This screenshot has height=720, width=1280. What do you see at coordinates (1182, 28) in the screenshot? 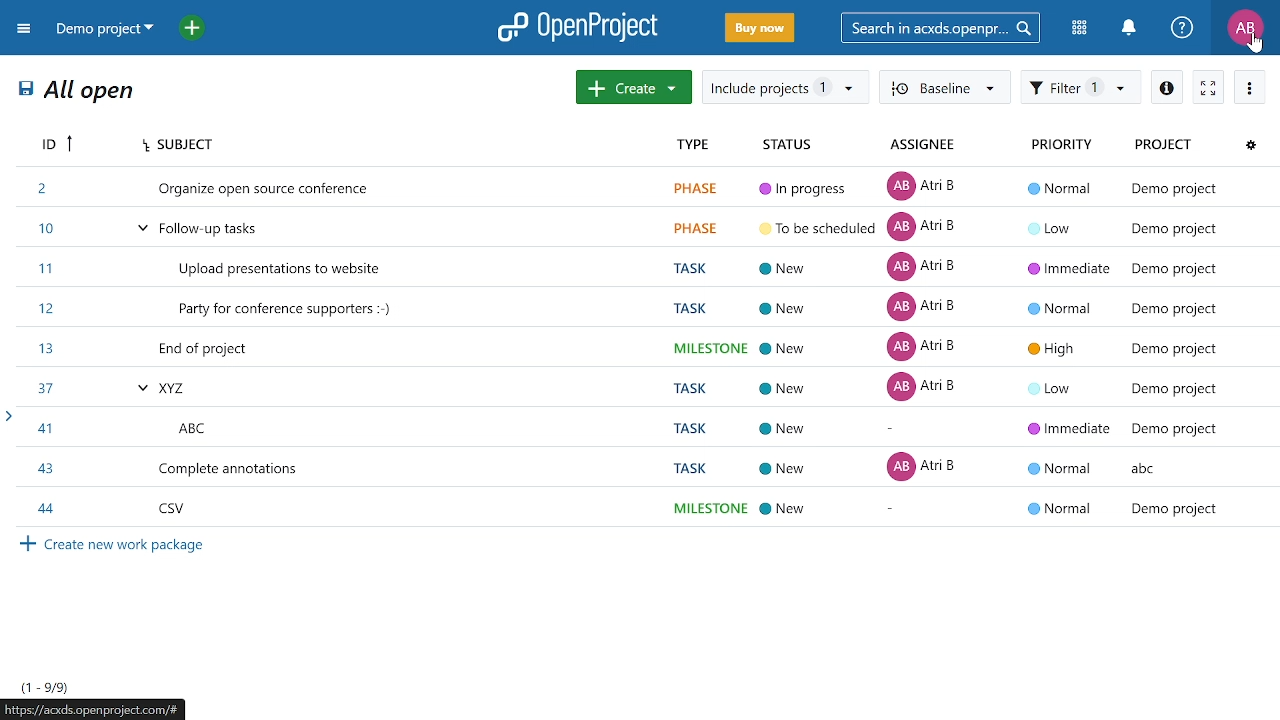
I see `help` at bounding box center [1182, 28].